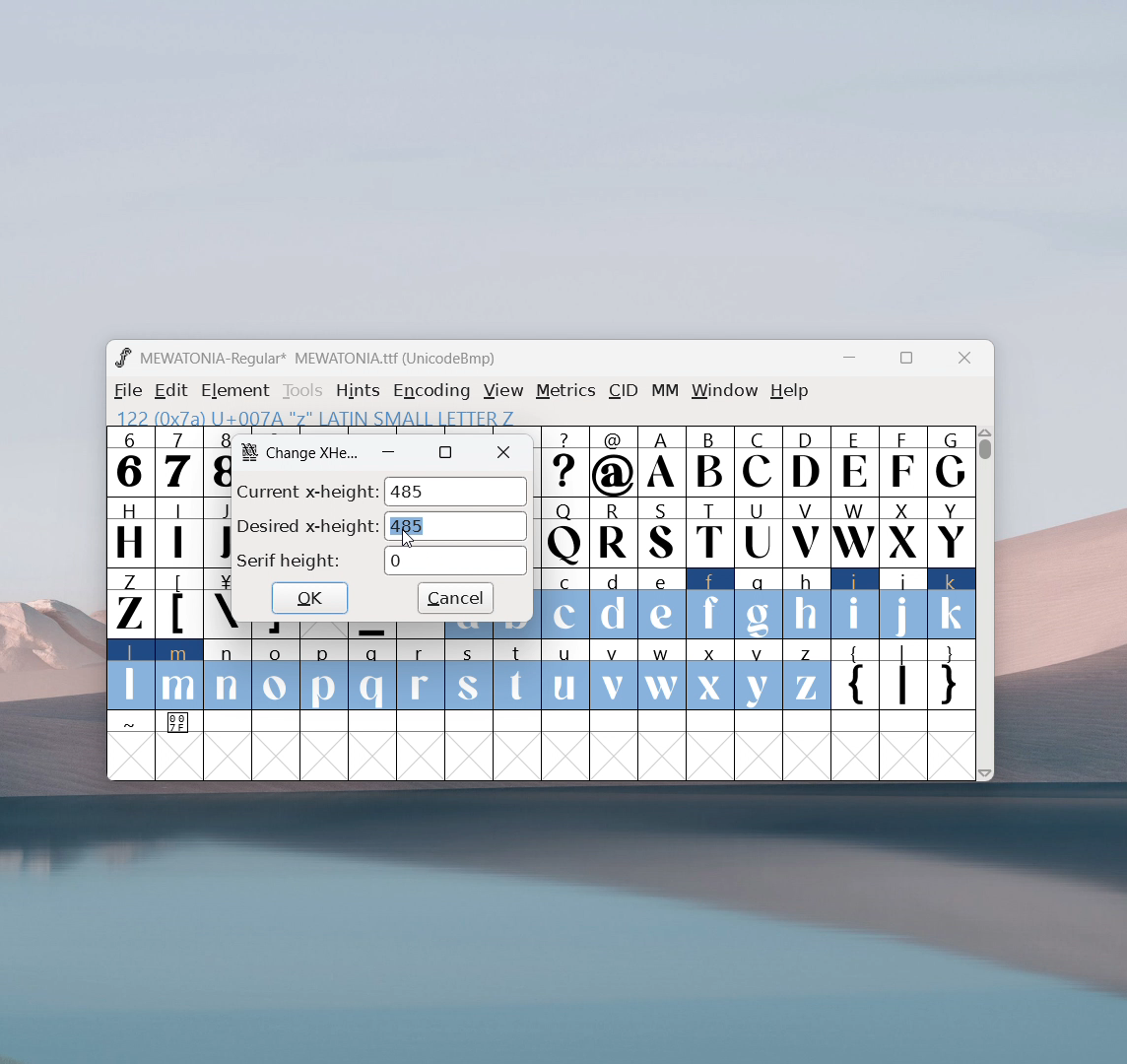  Describe the element at coordinates (314, 454) in the screenshot. I see `change x-height dialoguebox` at that location.